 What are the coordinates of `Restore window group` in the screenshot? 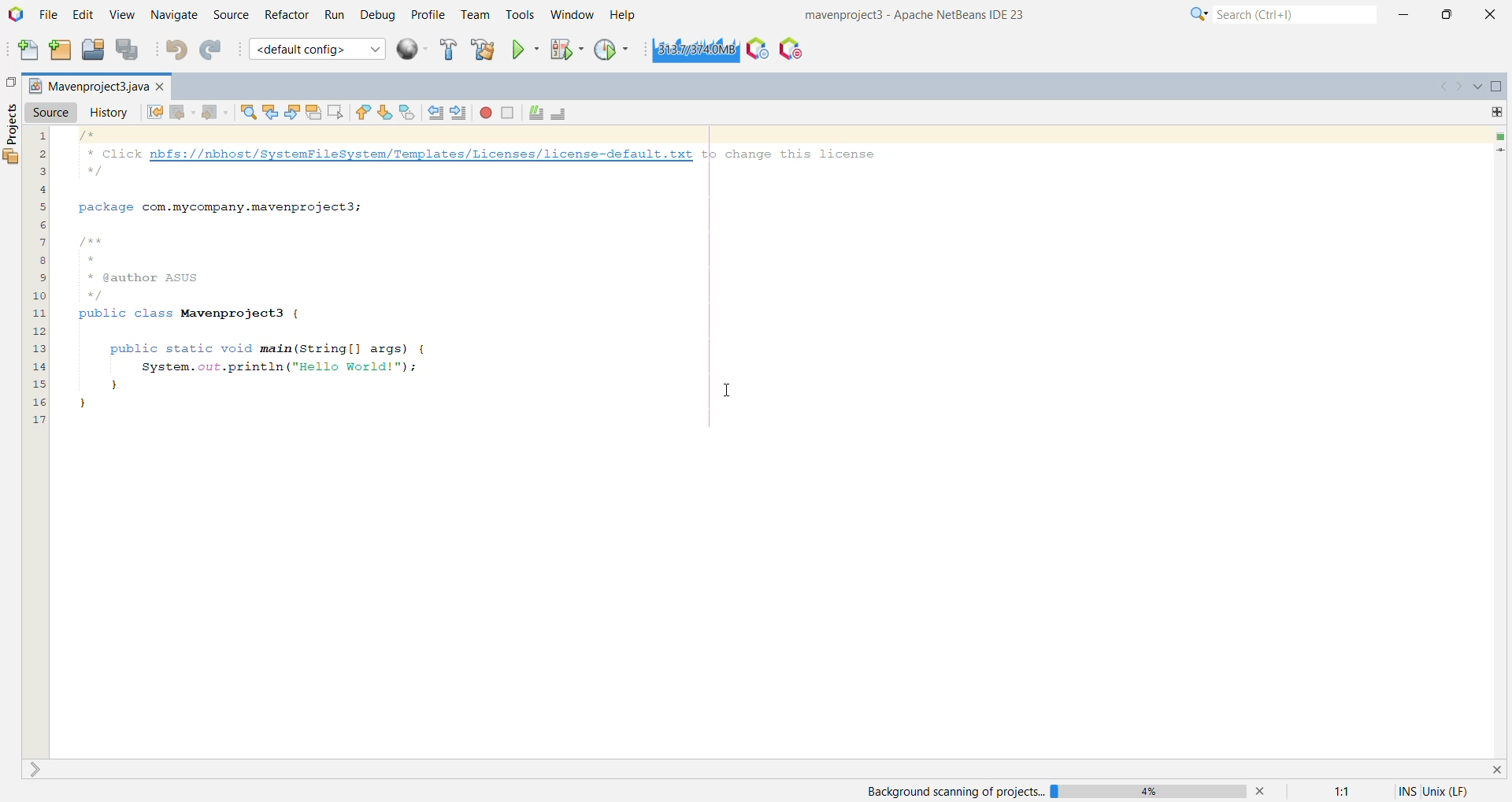 It's located at (9, 83).